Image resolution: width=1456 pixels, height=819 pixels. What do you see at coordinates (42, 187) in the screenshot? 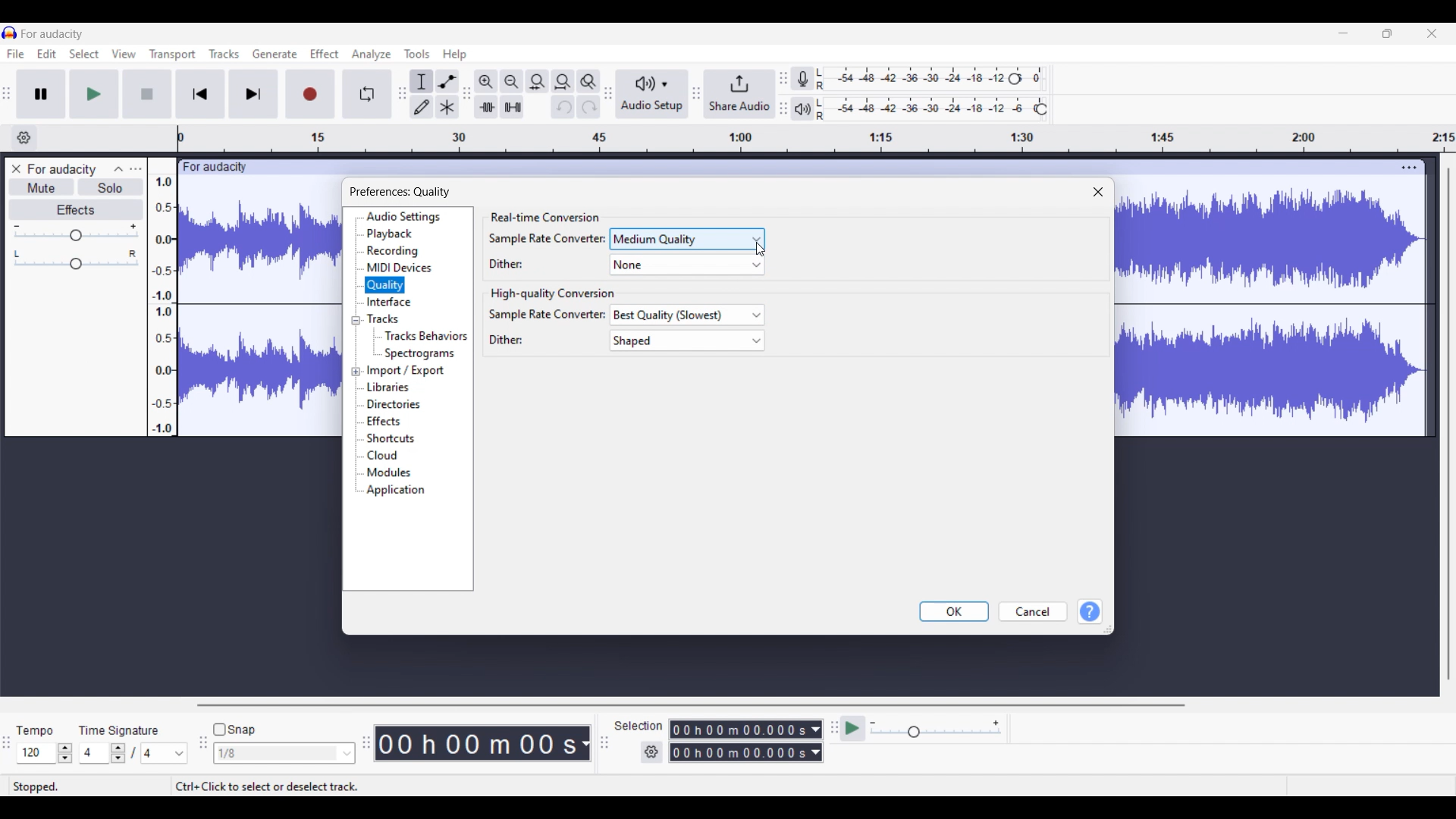
I see `Mute` at bounding box center [42, 187].